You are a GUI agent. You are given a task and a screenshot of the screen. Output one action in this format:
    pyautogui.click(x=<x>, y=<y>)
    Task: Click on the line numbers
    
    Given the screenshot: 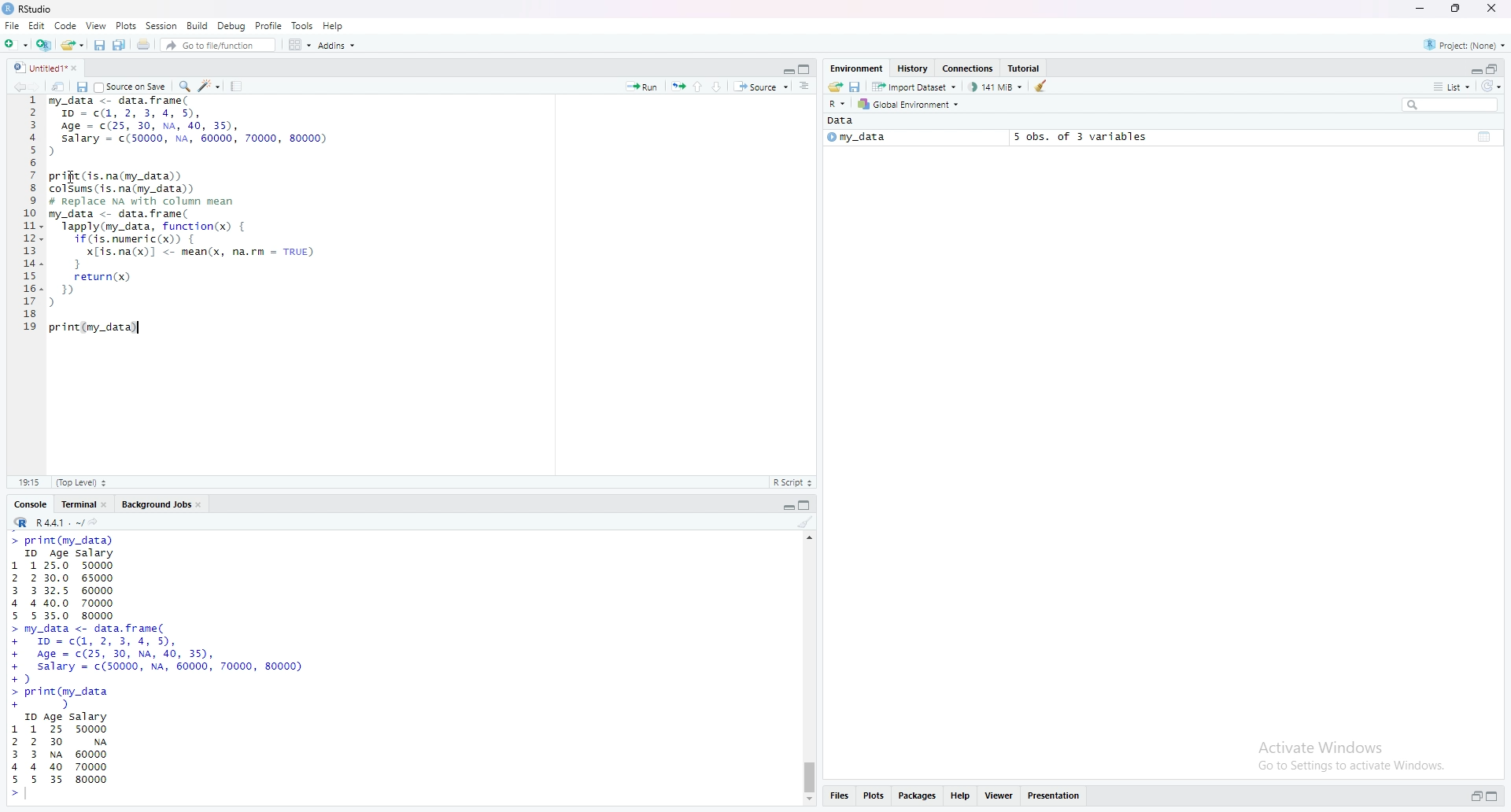 What is the action you would take?
    pyautogui.click(x=31, y=219)
    